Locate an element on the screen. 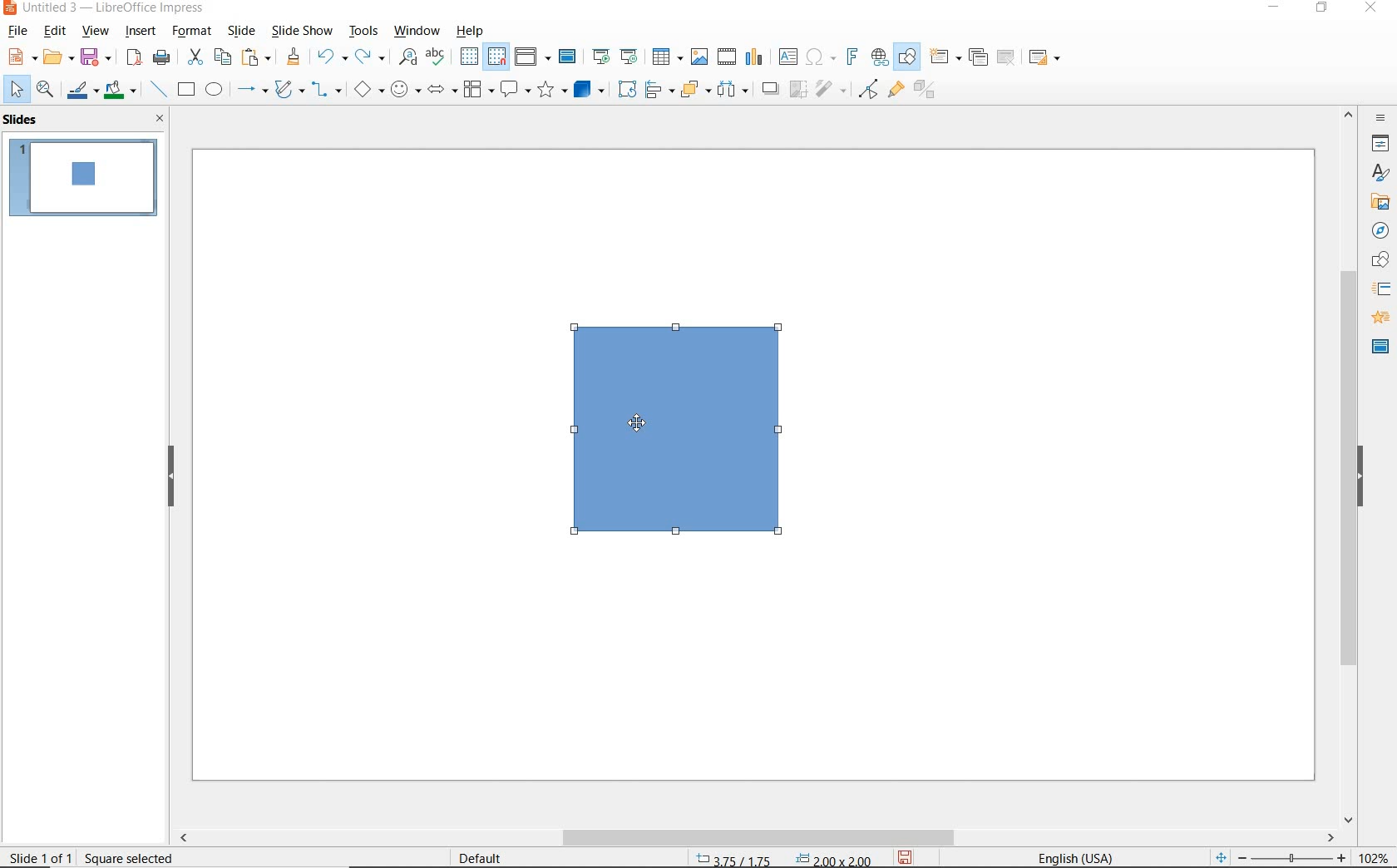 The width and height of the screenshot is (1397, 868). master slide is located at coordinates (571, 56).